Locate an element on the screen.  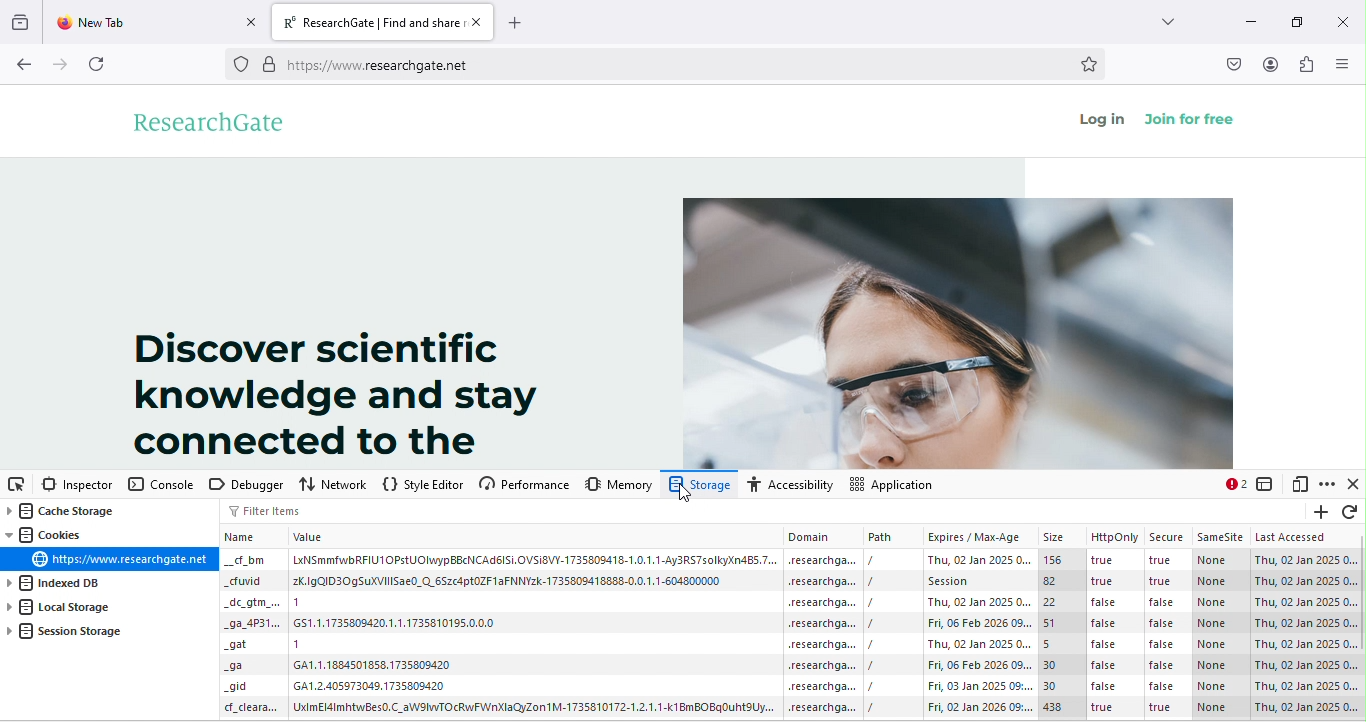
Discover scientific knowledge and stay connected to the is located at coordinates (322, 389).